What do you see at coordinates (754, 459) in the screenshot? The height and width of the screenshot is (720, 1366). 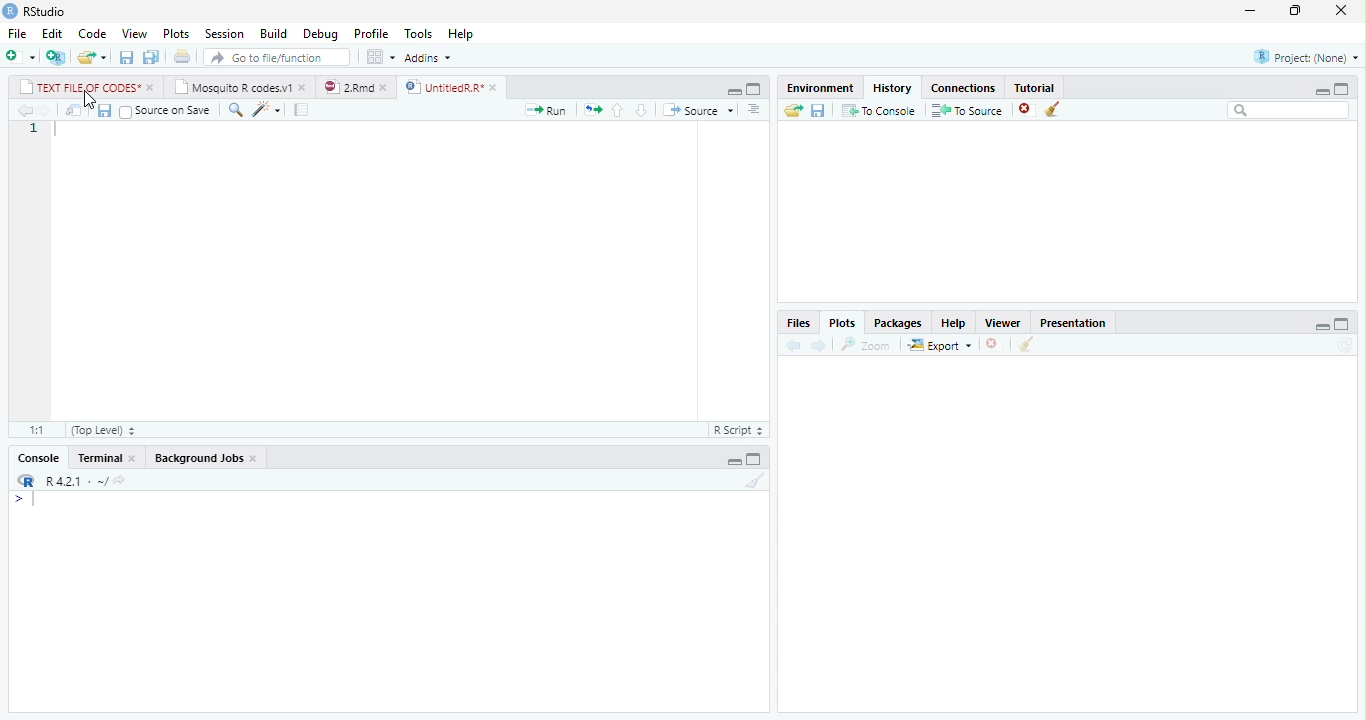 I see `maximize` at bounding box center [754, 459].